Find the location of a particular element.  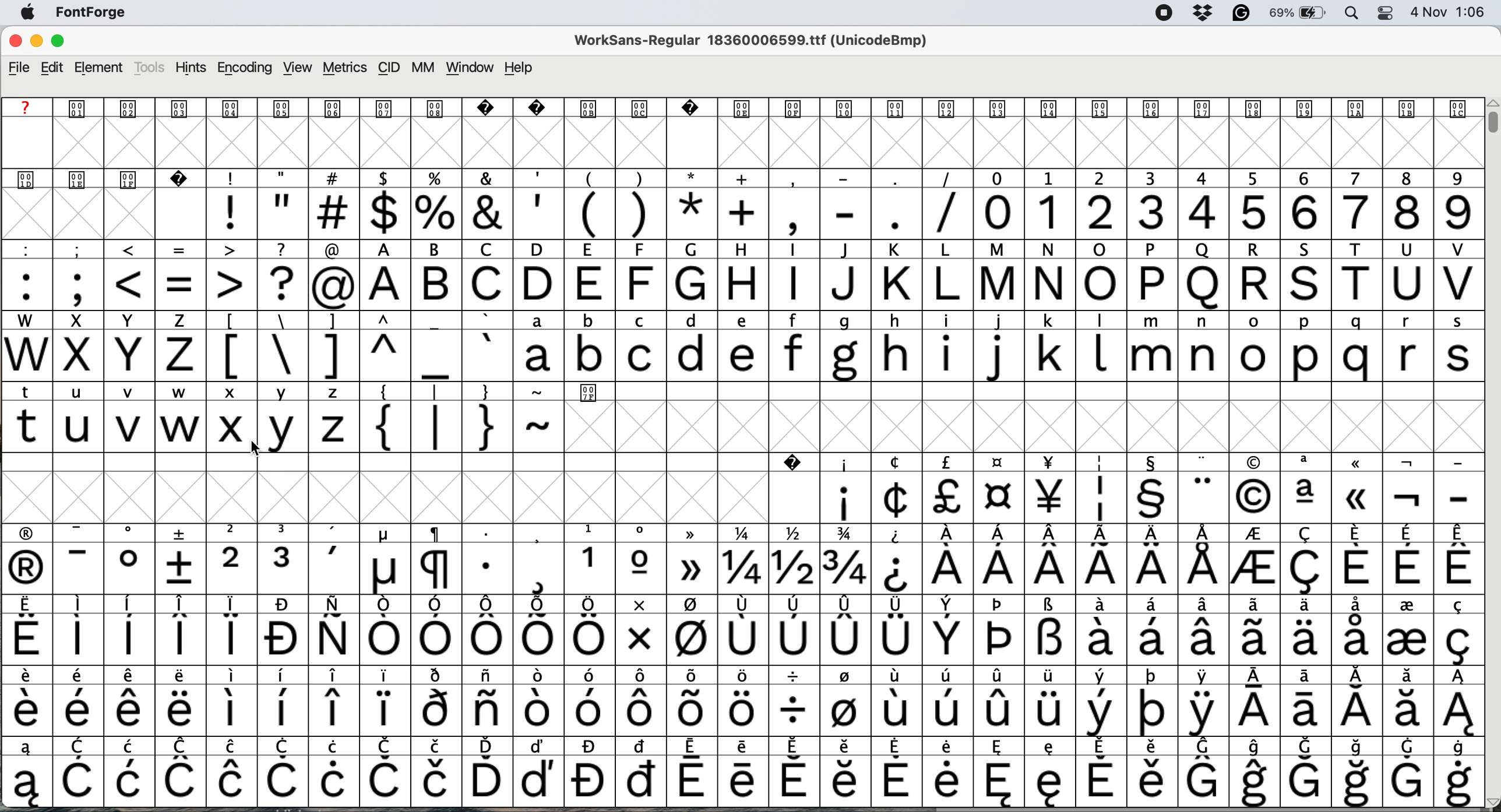

numbers is located at coordinates (1227, 211).